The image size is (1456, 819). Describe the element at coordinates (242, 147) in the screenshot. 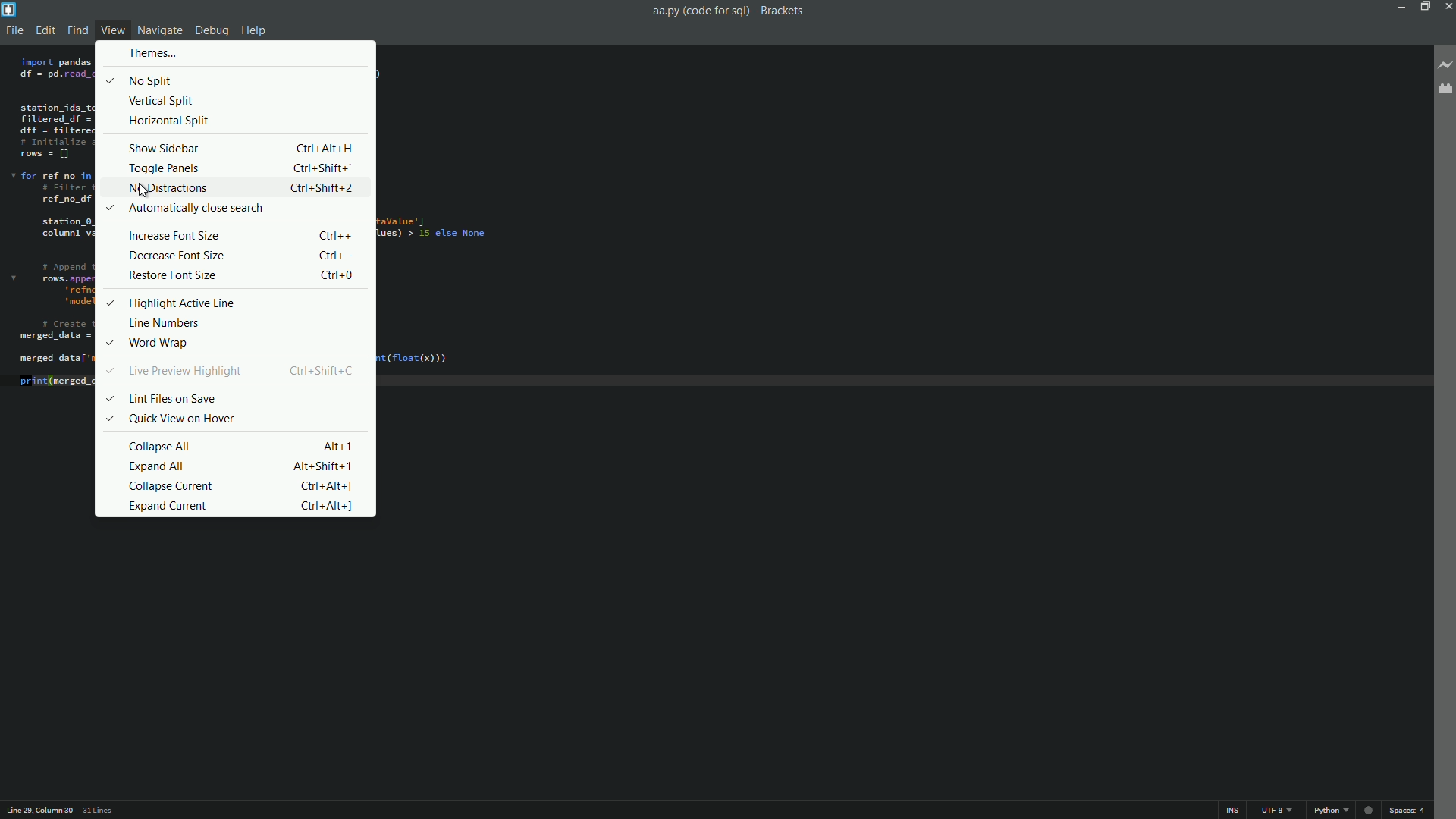

I see `show sidebar  Ctrl + Alt + h` at that location.